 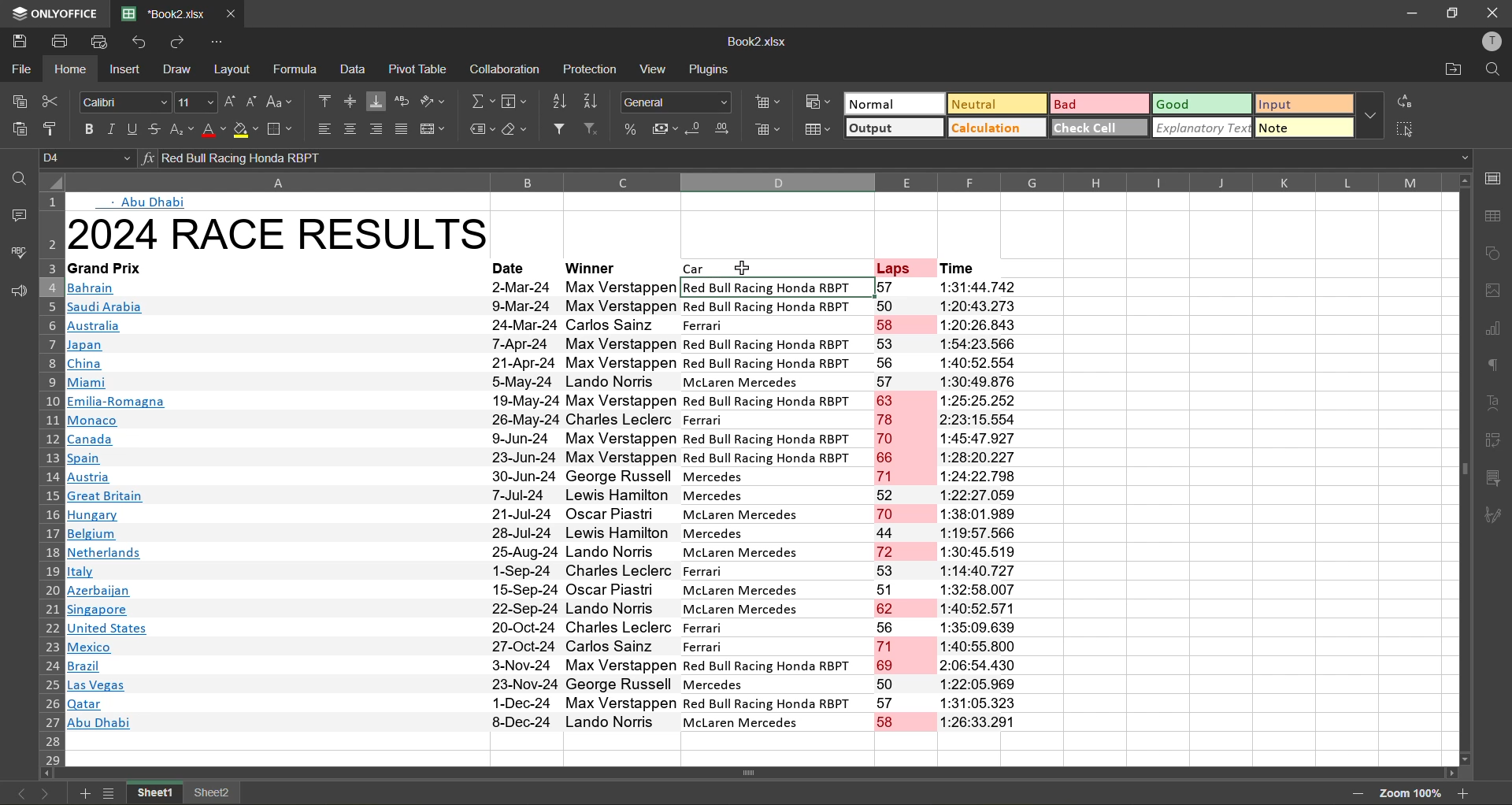 I want to click on find, so click(x=24, y=182).